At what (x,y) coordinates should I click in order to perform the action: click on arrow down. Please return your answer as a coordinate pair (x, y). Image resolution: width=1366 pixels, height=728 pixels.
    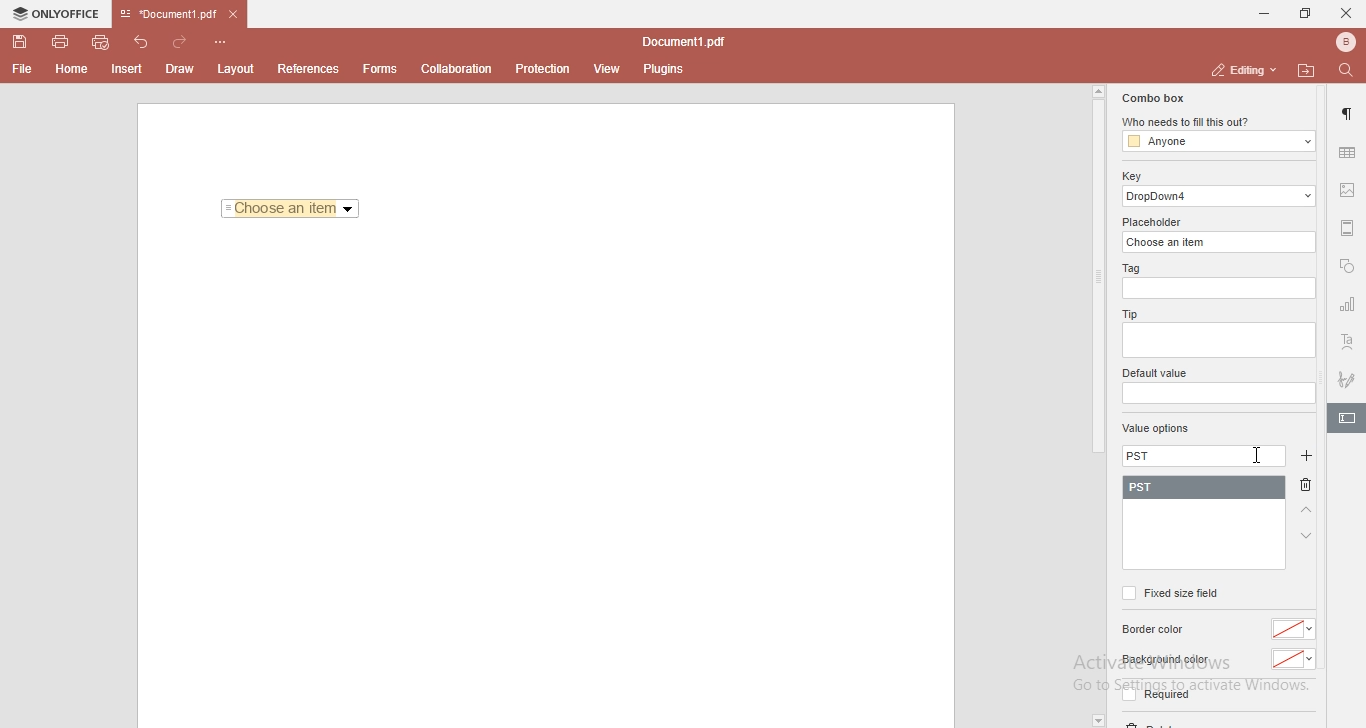
    Looking at the image, I should click on (1307, 536).